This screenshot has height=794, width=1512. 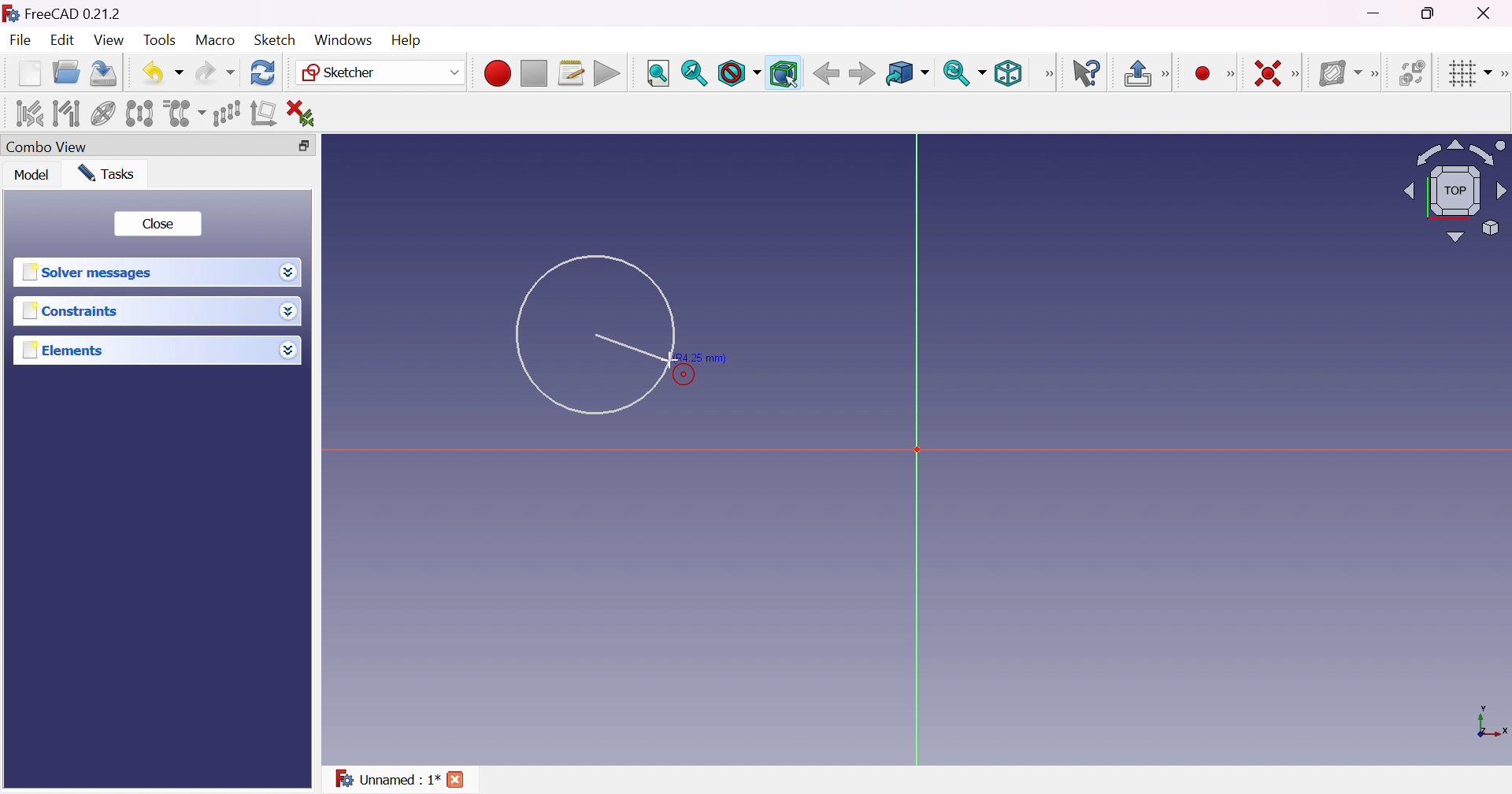 What do you see at coordinates (1374, 13) in the screenshot?
I see `Minimize` at bounding box center [1374, 13].